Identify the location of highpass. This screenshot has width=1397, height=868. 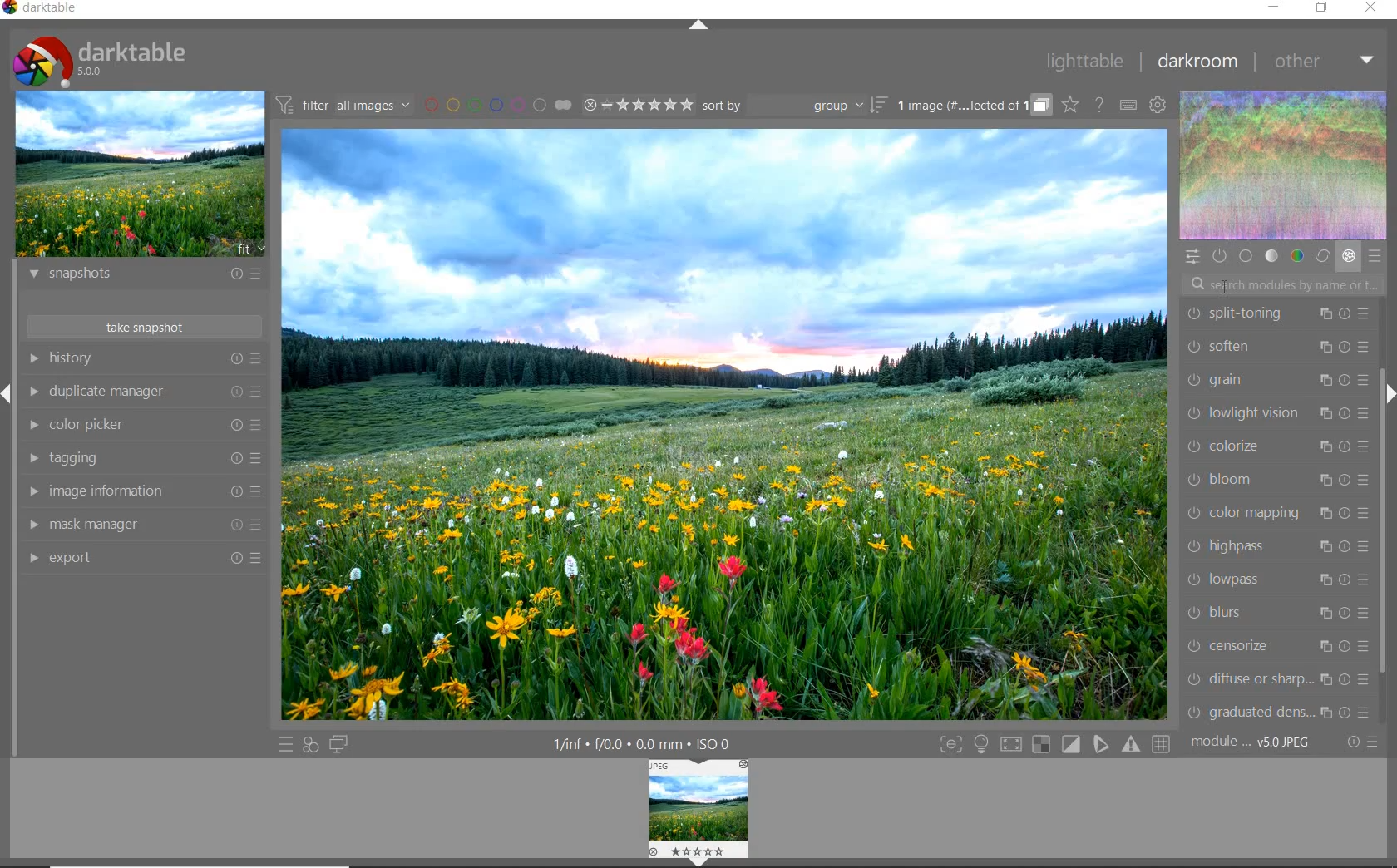
(1273, 547).